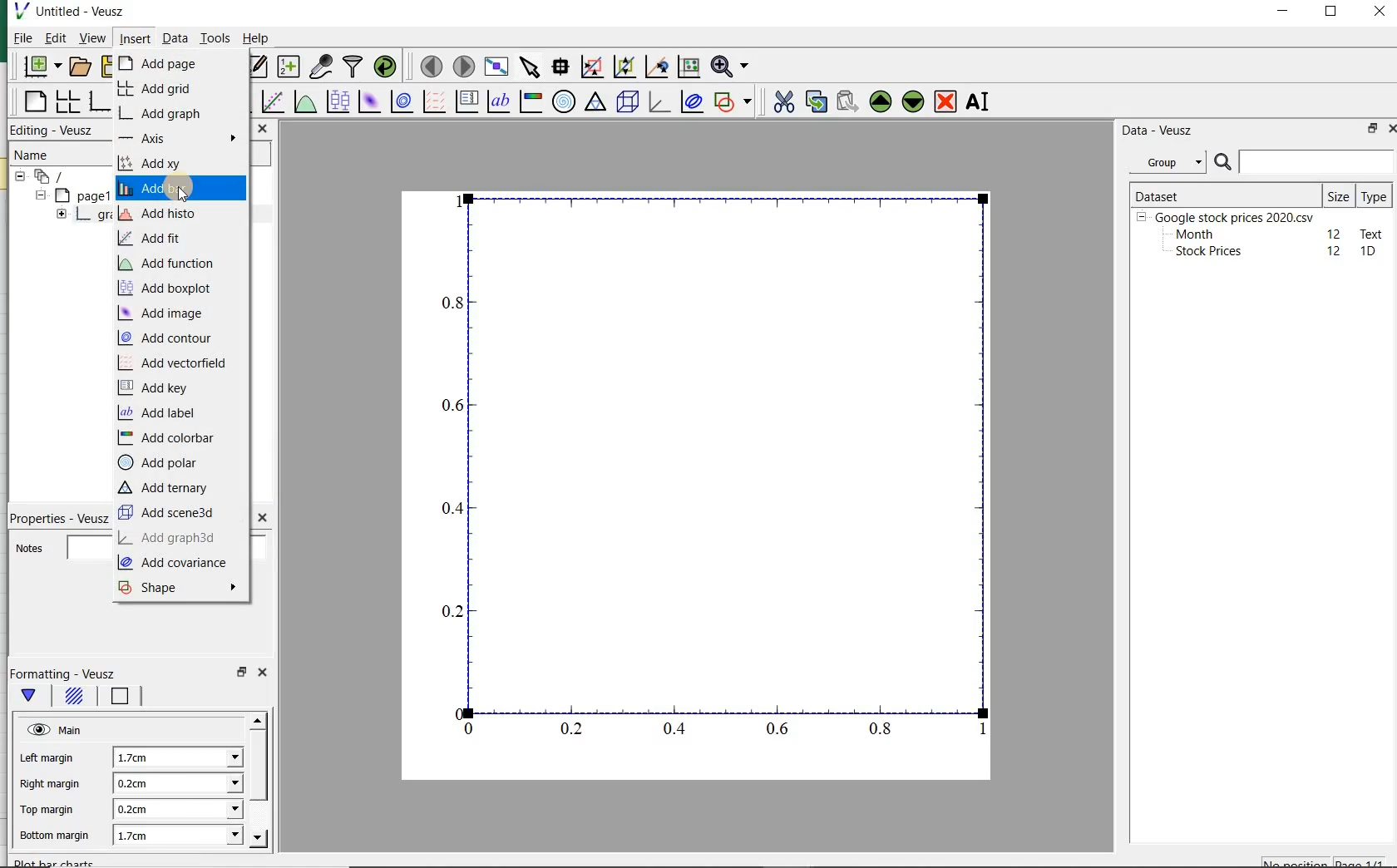  Describe the element at coordinates (1369, 233) in the screenshot. I see `text` at that location.